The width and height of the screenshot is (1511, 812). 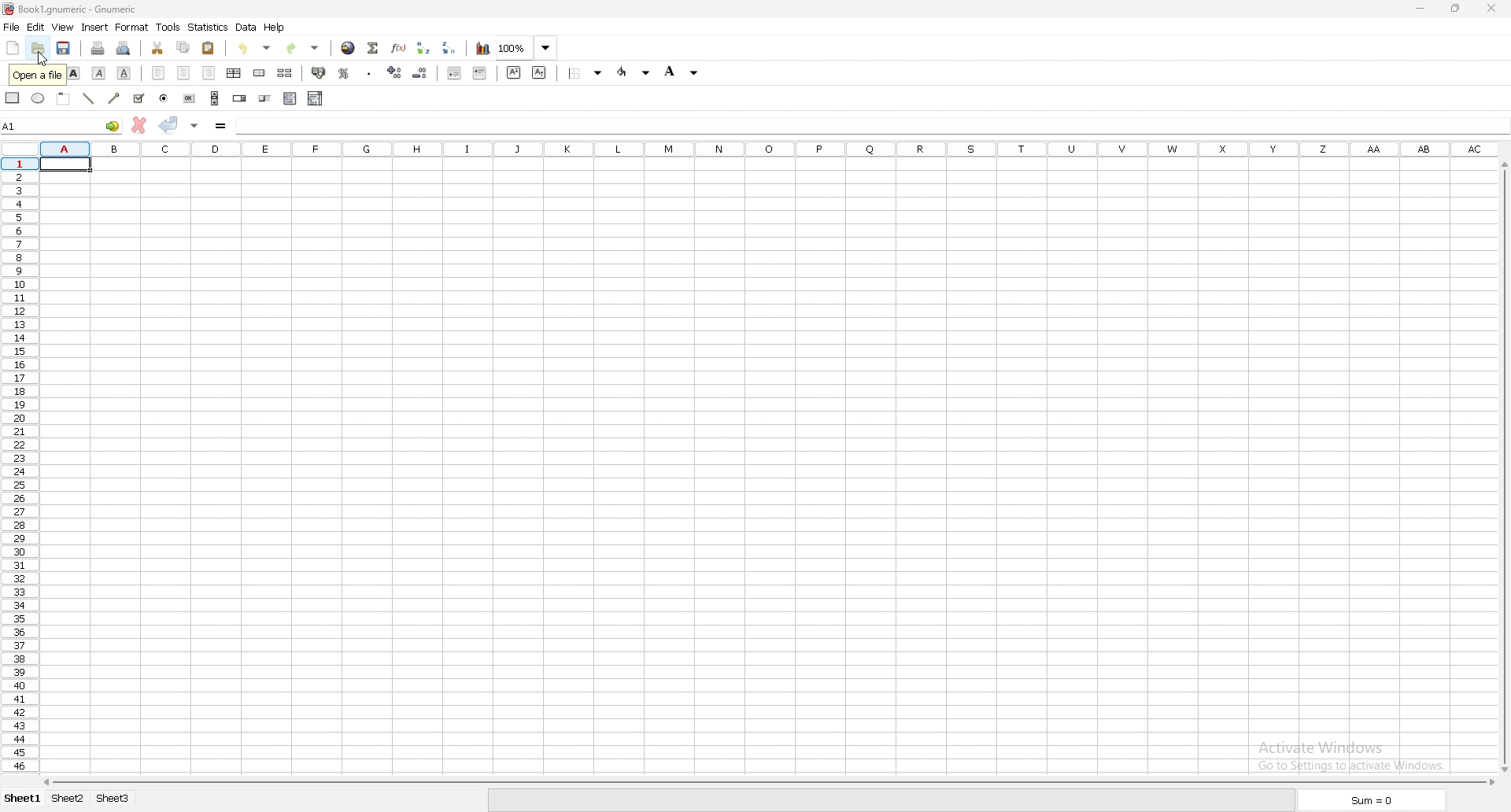 What do you see at coordinates (183, 47) in the screenshot?
I see `copy` at bounding box center [183, 47].